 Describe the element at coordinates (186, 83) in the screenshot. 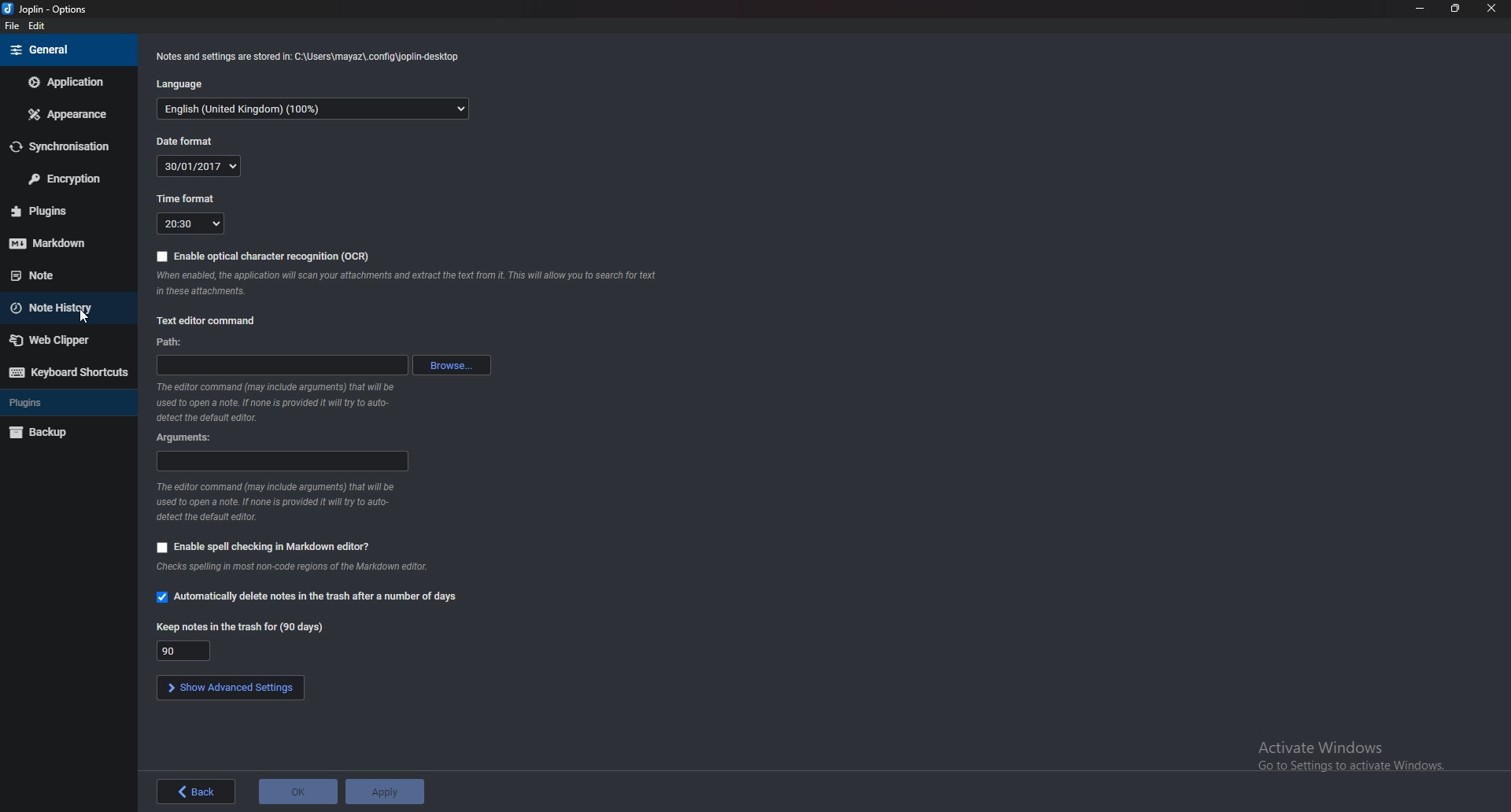

I see `Language` at that location.